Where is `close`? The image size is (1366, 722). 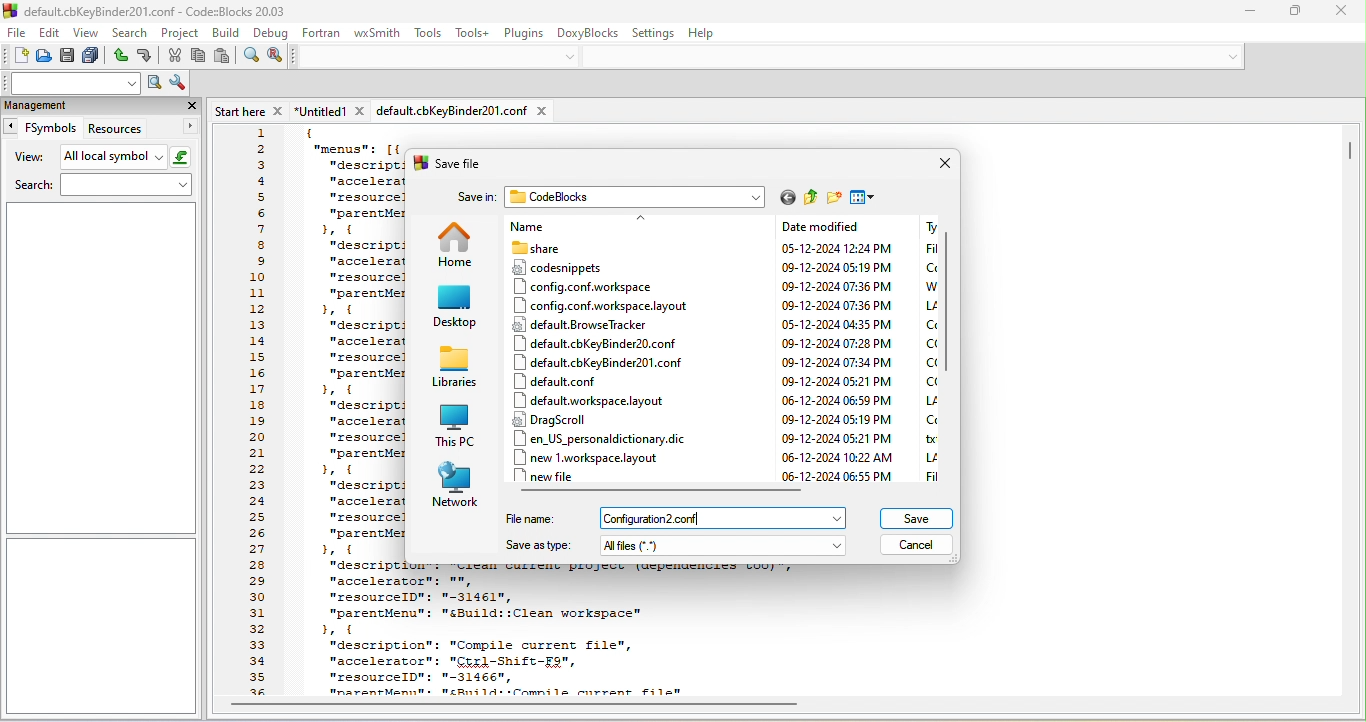 close is located at coordinates (942, 165).